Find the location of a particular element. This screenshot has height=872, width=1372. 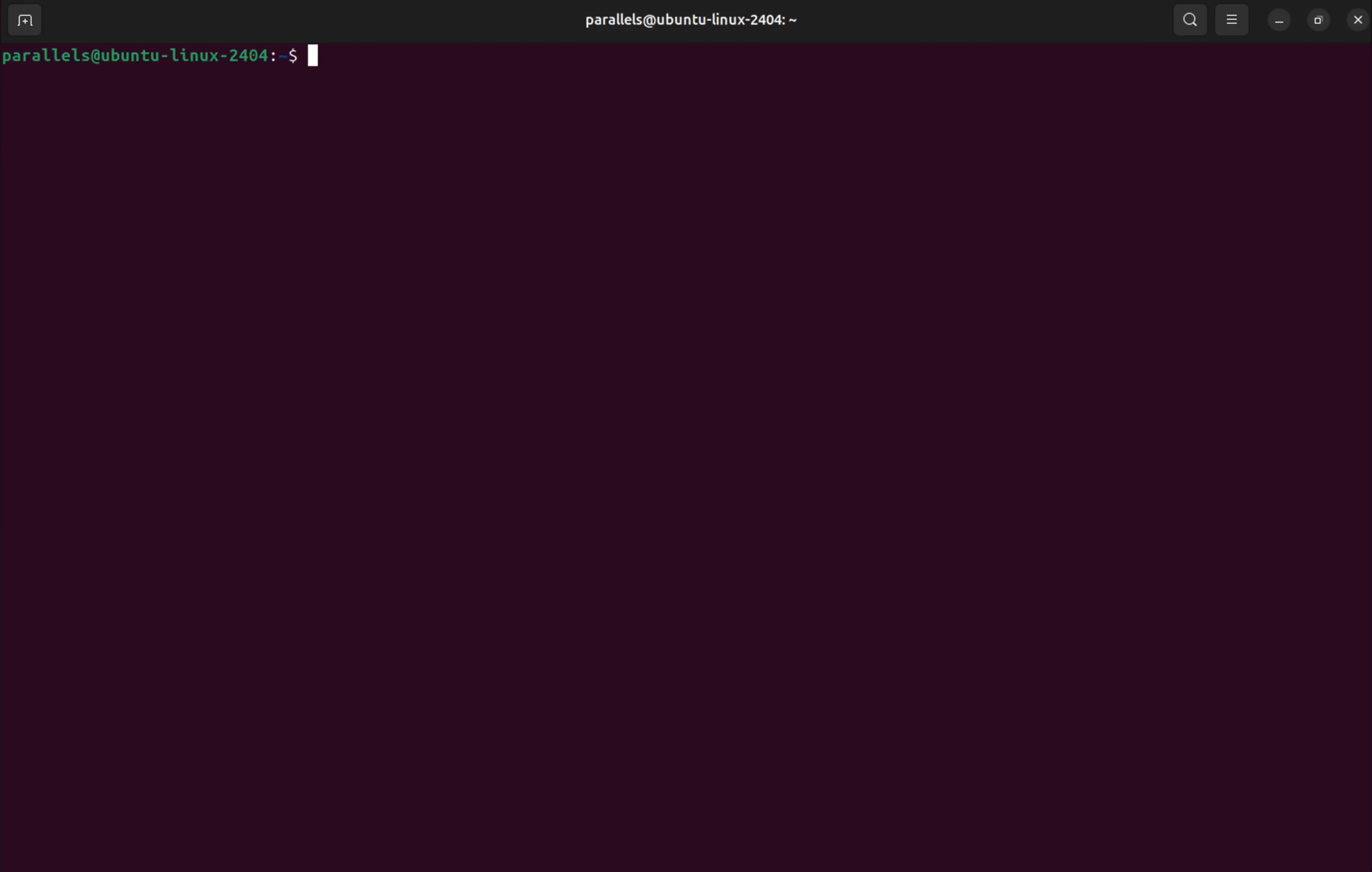

search is located at coordinates (1190, 21).